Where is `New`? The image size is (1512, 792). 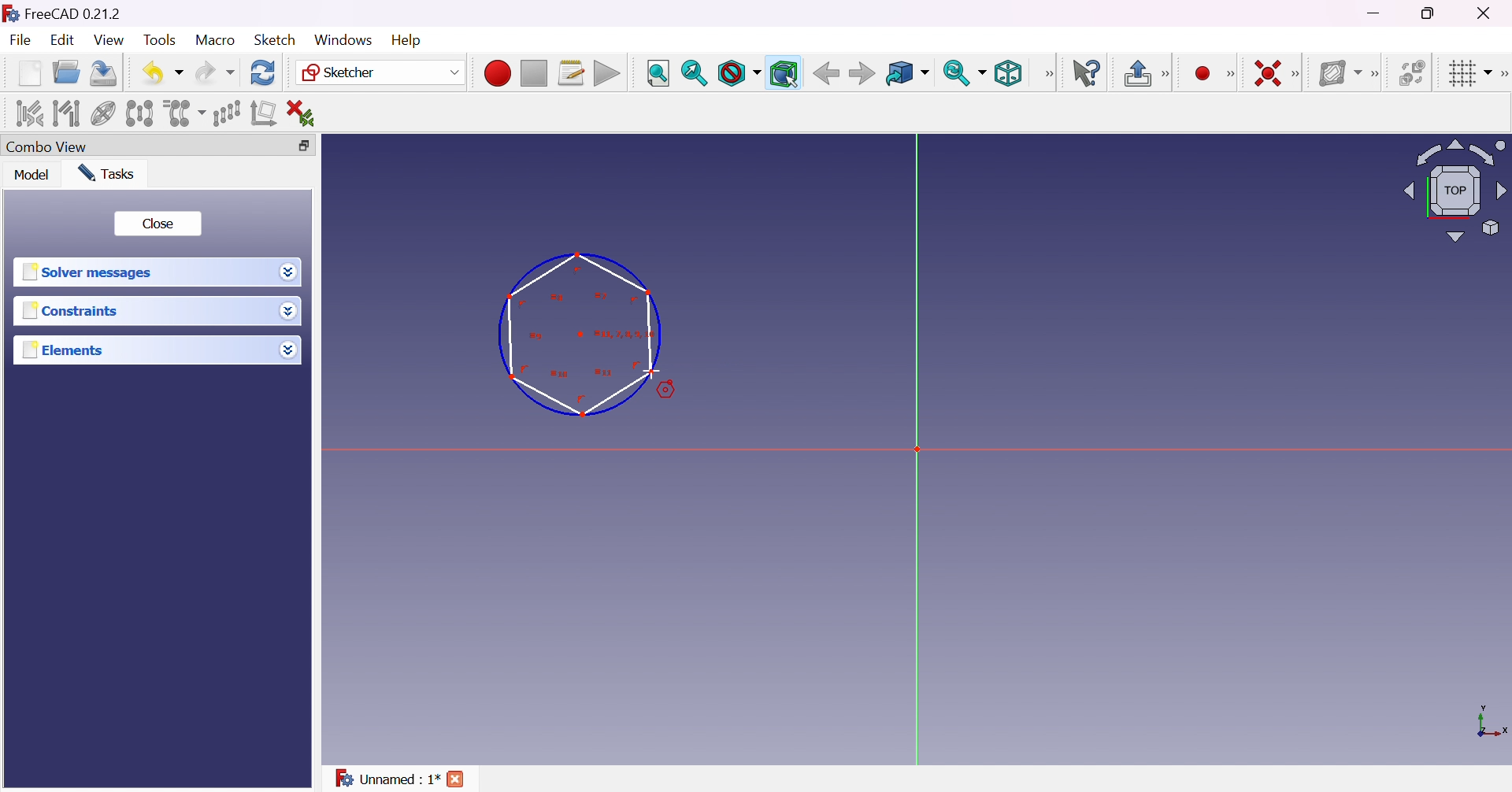
New is located at coordinates (31, 76).